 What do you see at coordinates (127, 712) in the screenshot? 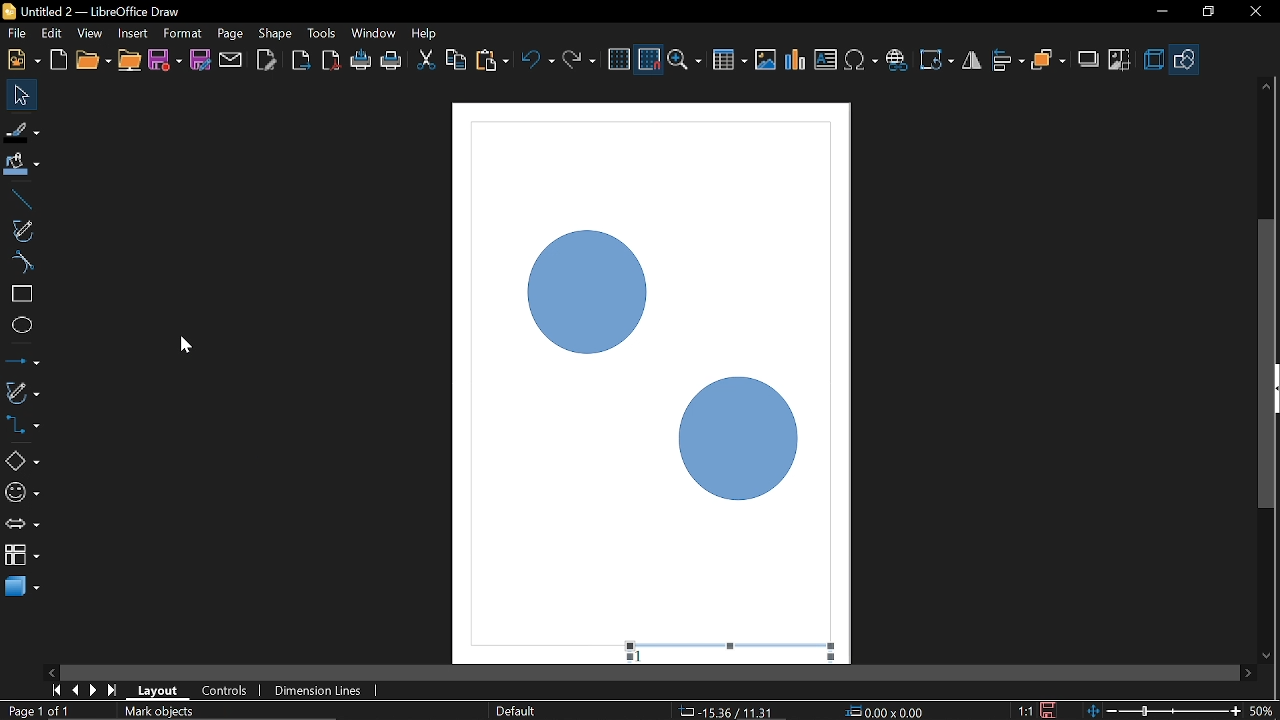
I see `Current page` at bounding box center [127, 712].